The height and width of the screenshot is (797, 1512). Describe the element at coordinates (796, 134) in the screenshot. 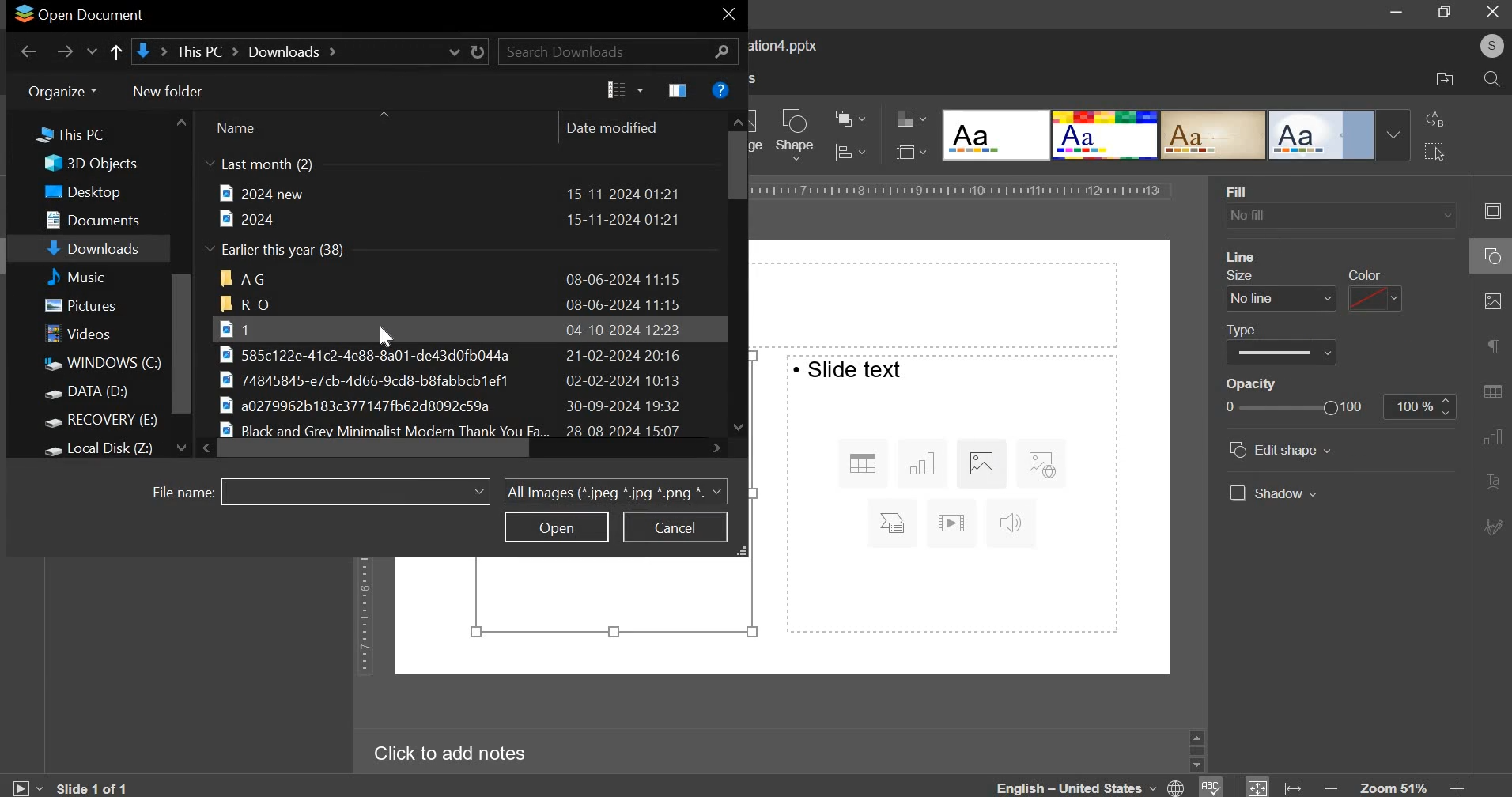

I see `shape` at that location.